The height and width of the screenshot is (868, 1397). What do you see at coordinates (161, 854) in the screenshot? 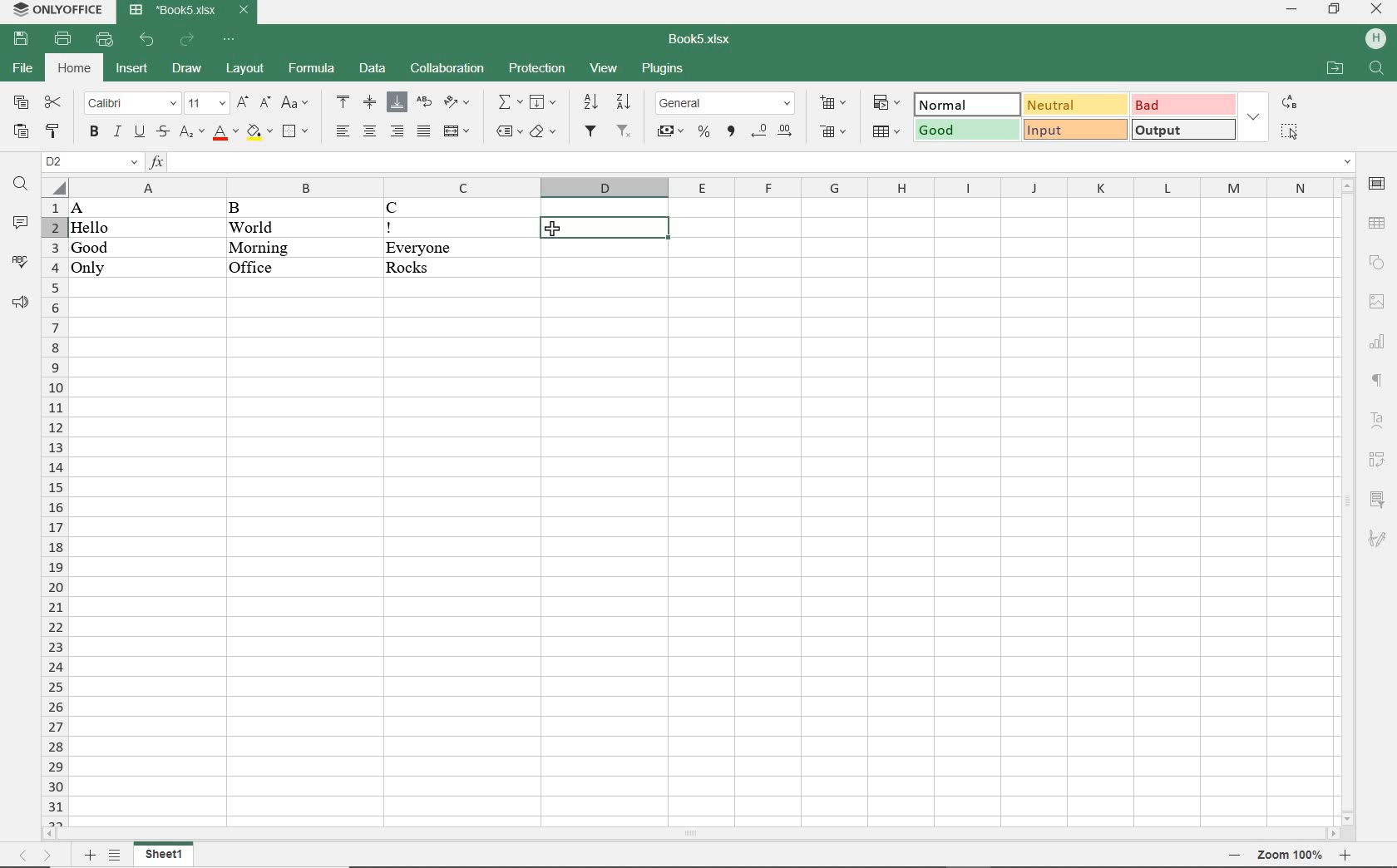
I see `sheet 1` at bounding box center [161, 854].